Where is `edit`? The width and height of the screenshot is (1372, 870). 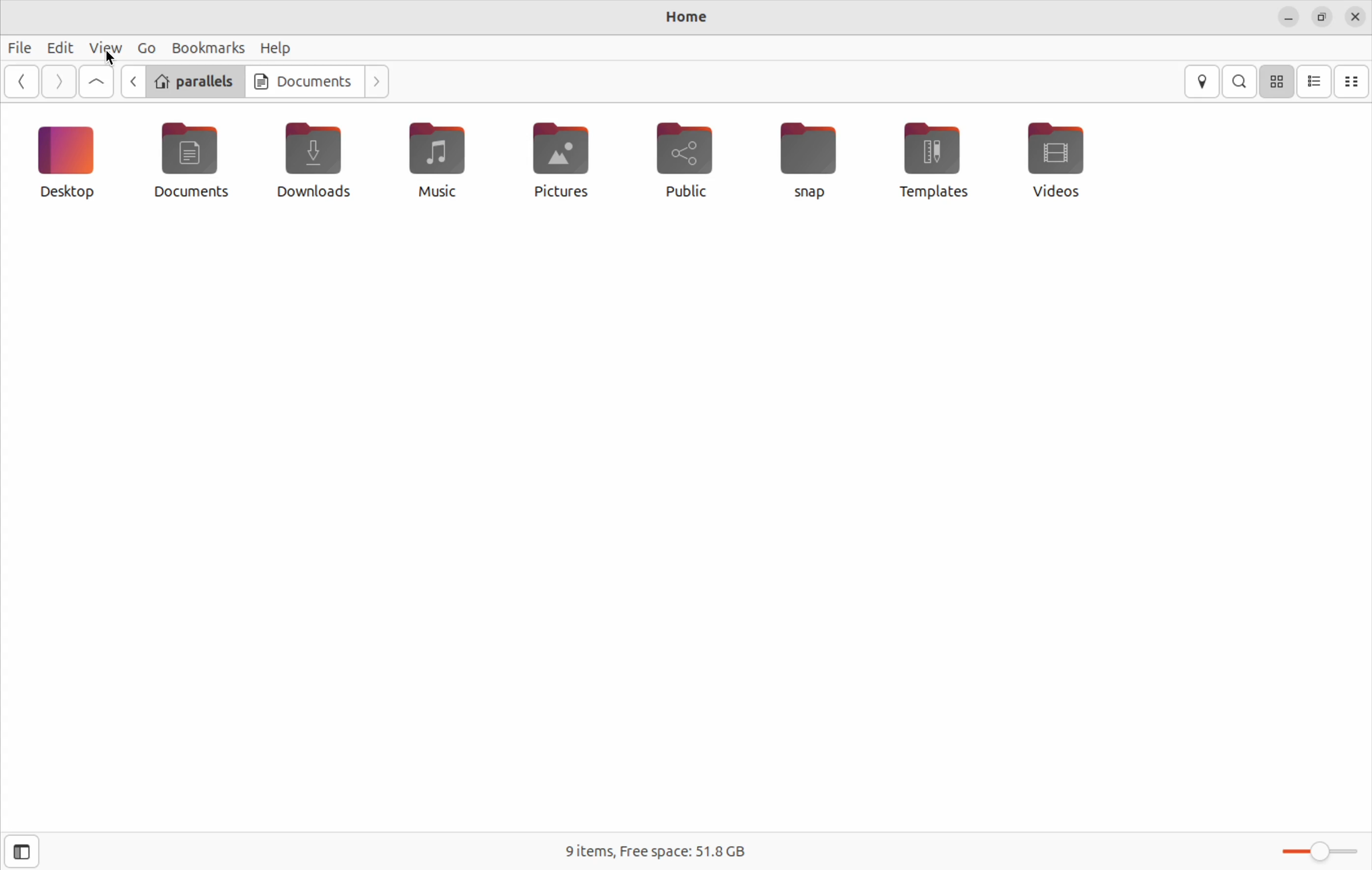 edit is located at coordinates (62, 47).